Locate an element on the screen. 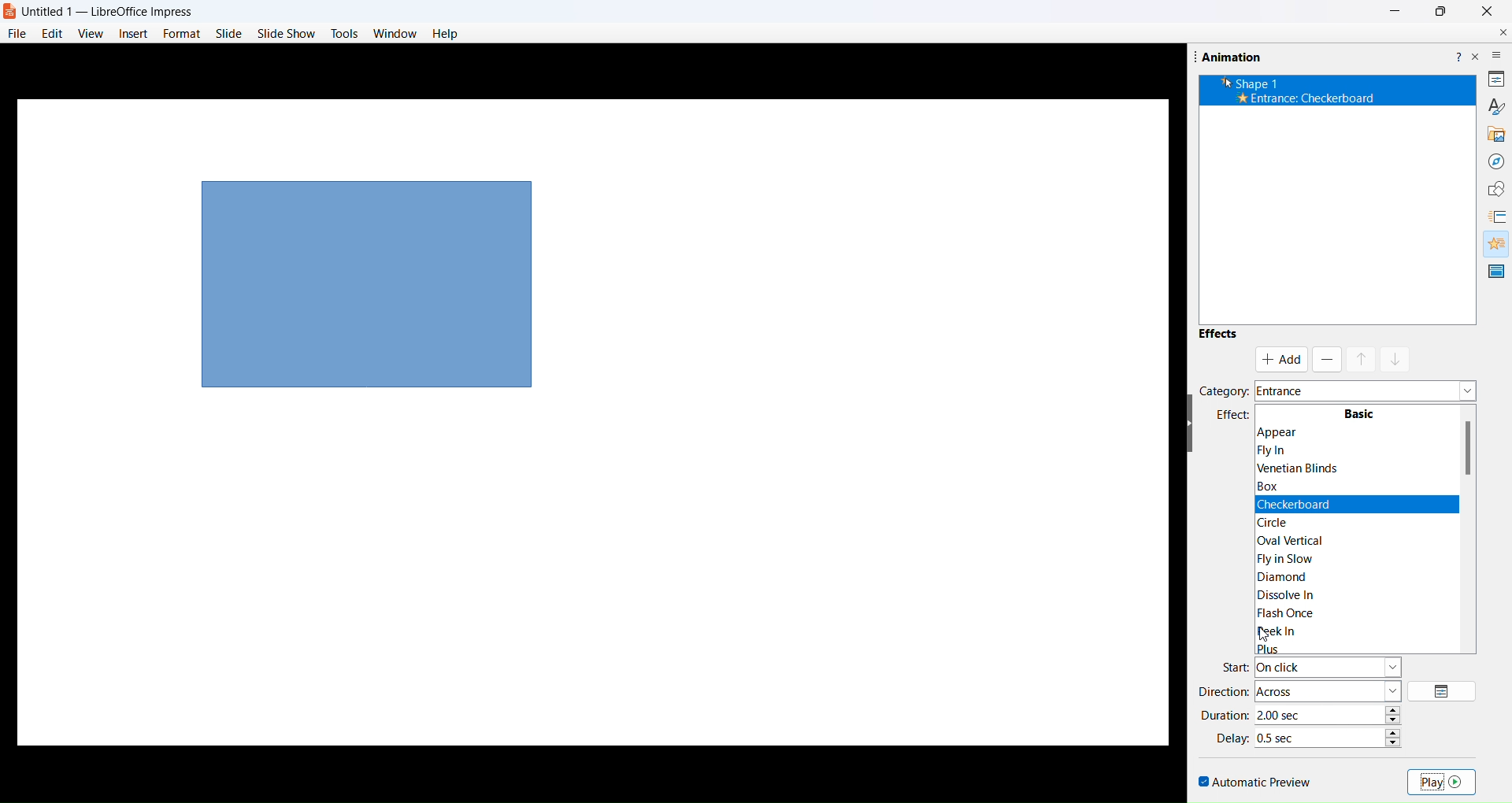 This screenshot has width=1512, height=803. gallery is located at coordinates (1493, 134).